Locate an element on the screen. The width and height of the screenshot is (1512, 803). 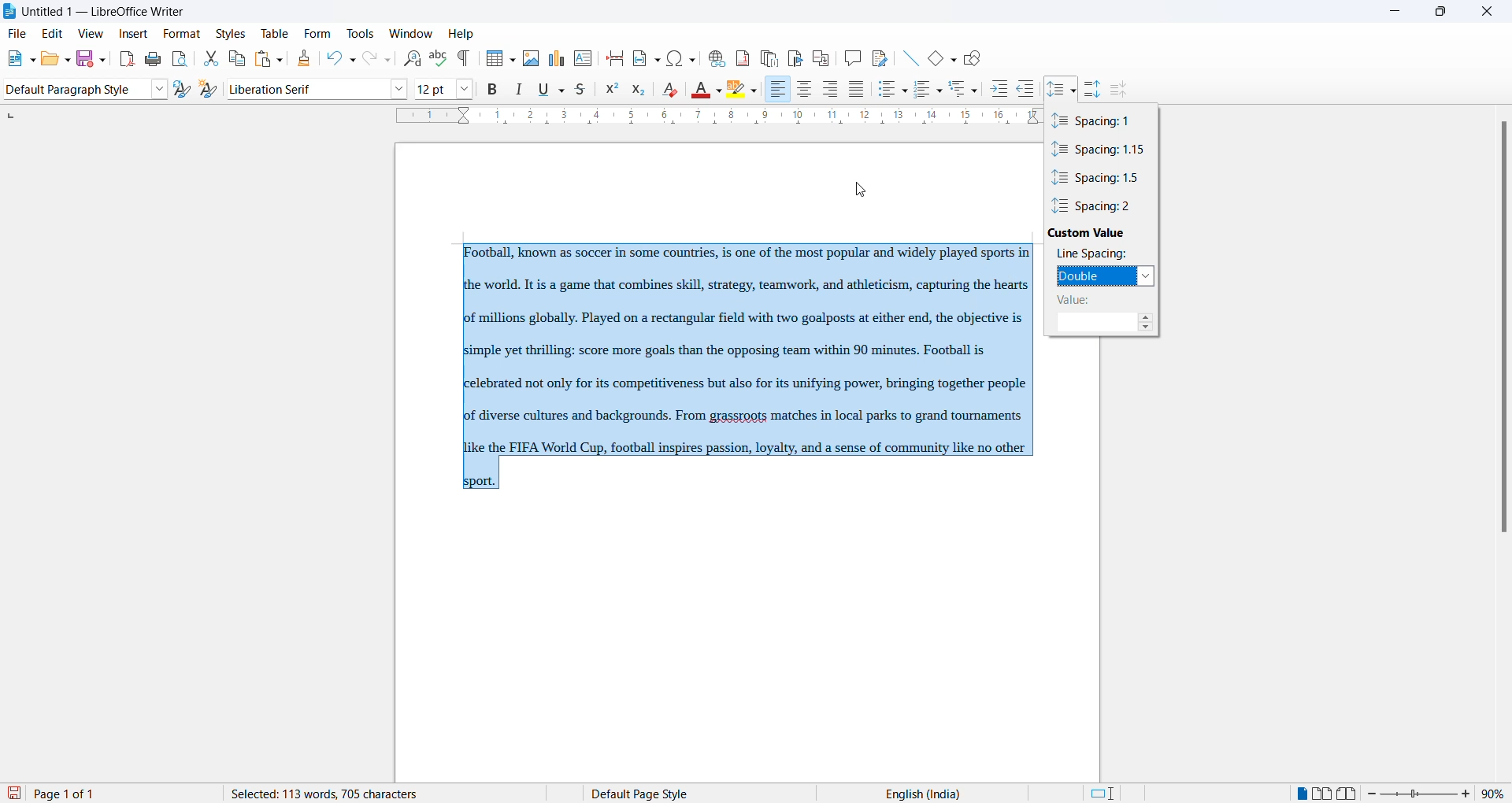
single page view is located at coordinates (1299, 794).